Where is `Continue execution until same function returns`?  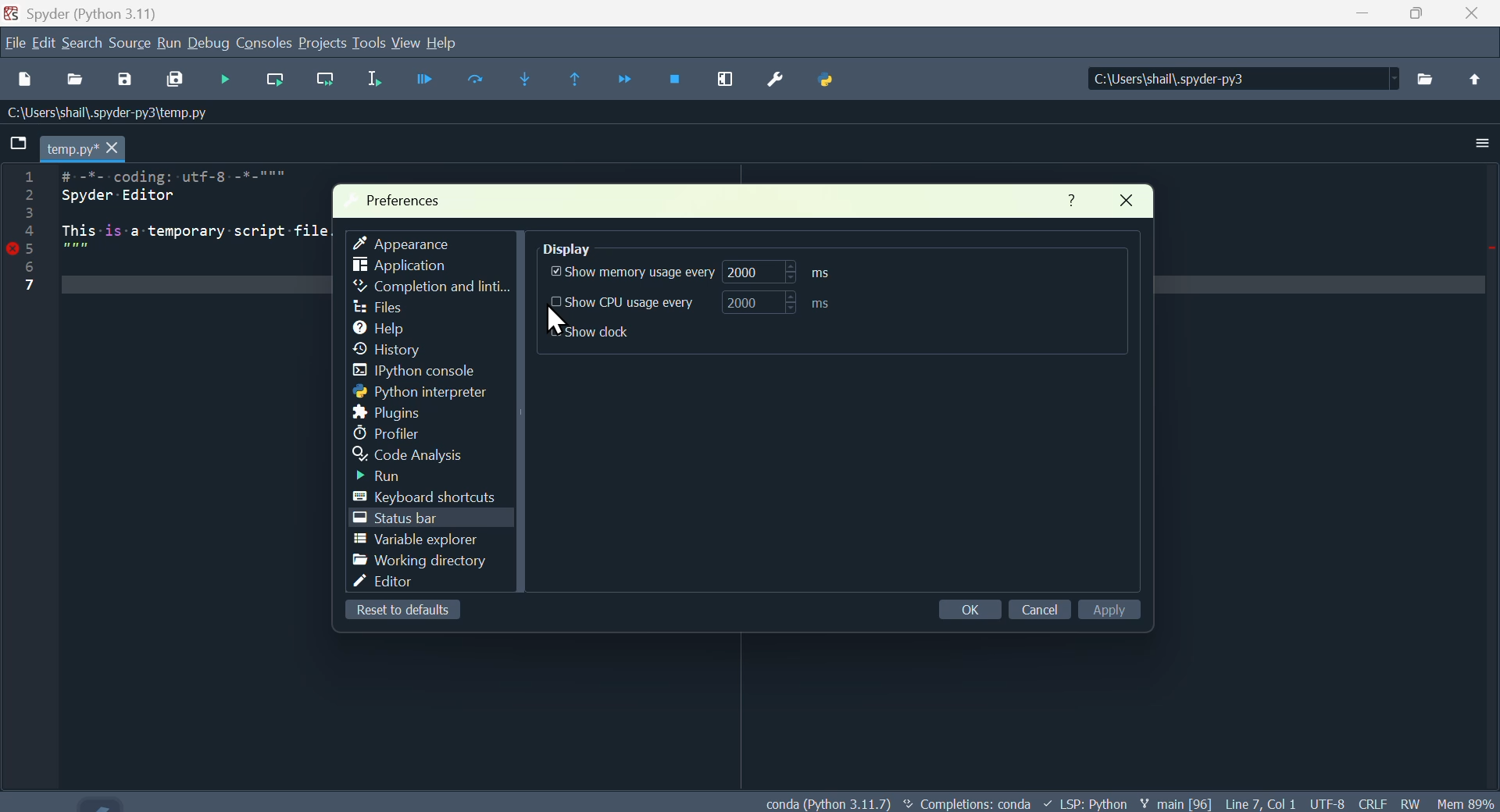 Continue execution until same function returns is located at coordinates (577, 81).